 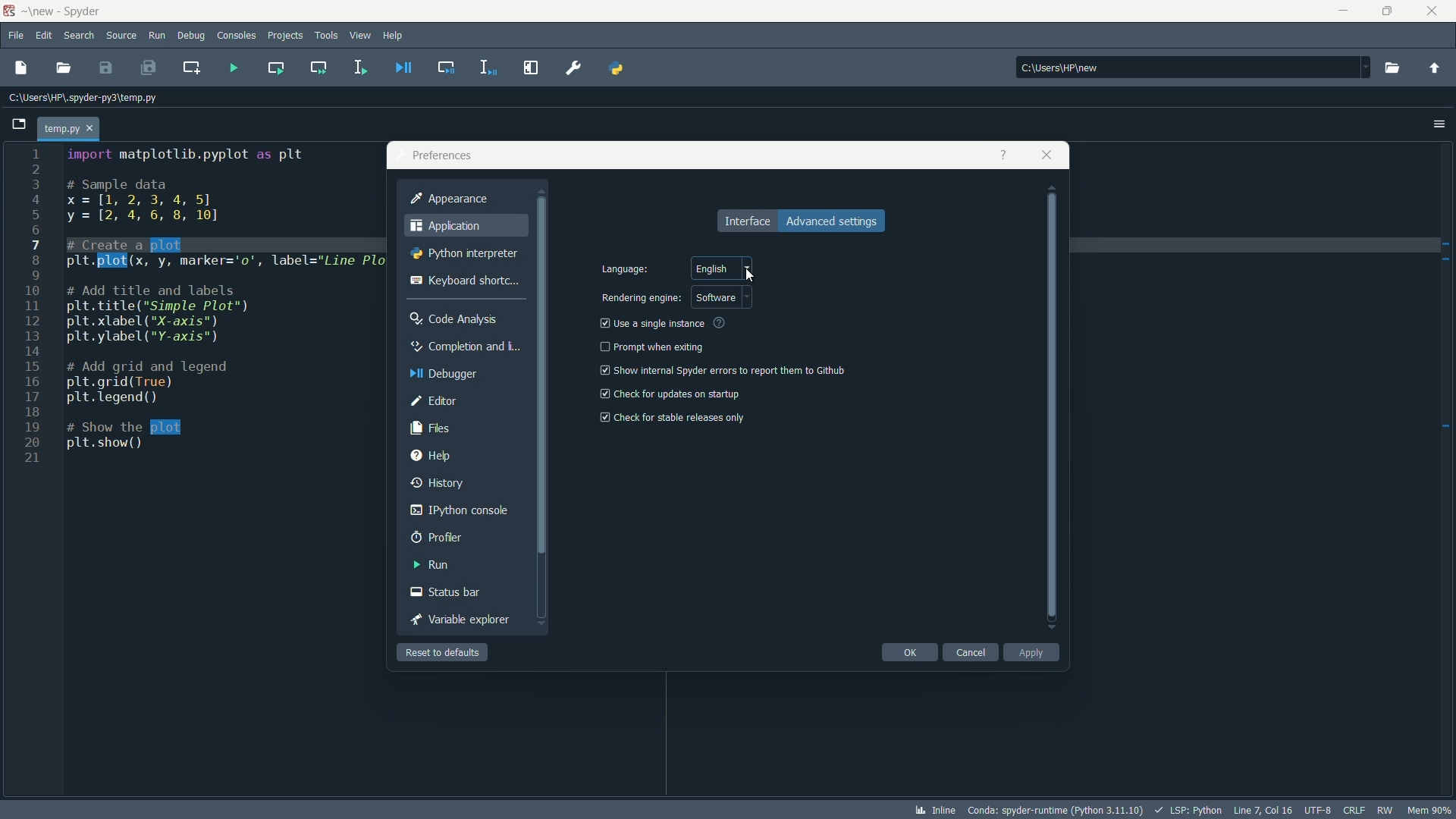 What do you see at coordinates (460, 619) in the screenshot?
I see `variable explorer` at bounding box center [460, 619].